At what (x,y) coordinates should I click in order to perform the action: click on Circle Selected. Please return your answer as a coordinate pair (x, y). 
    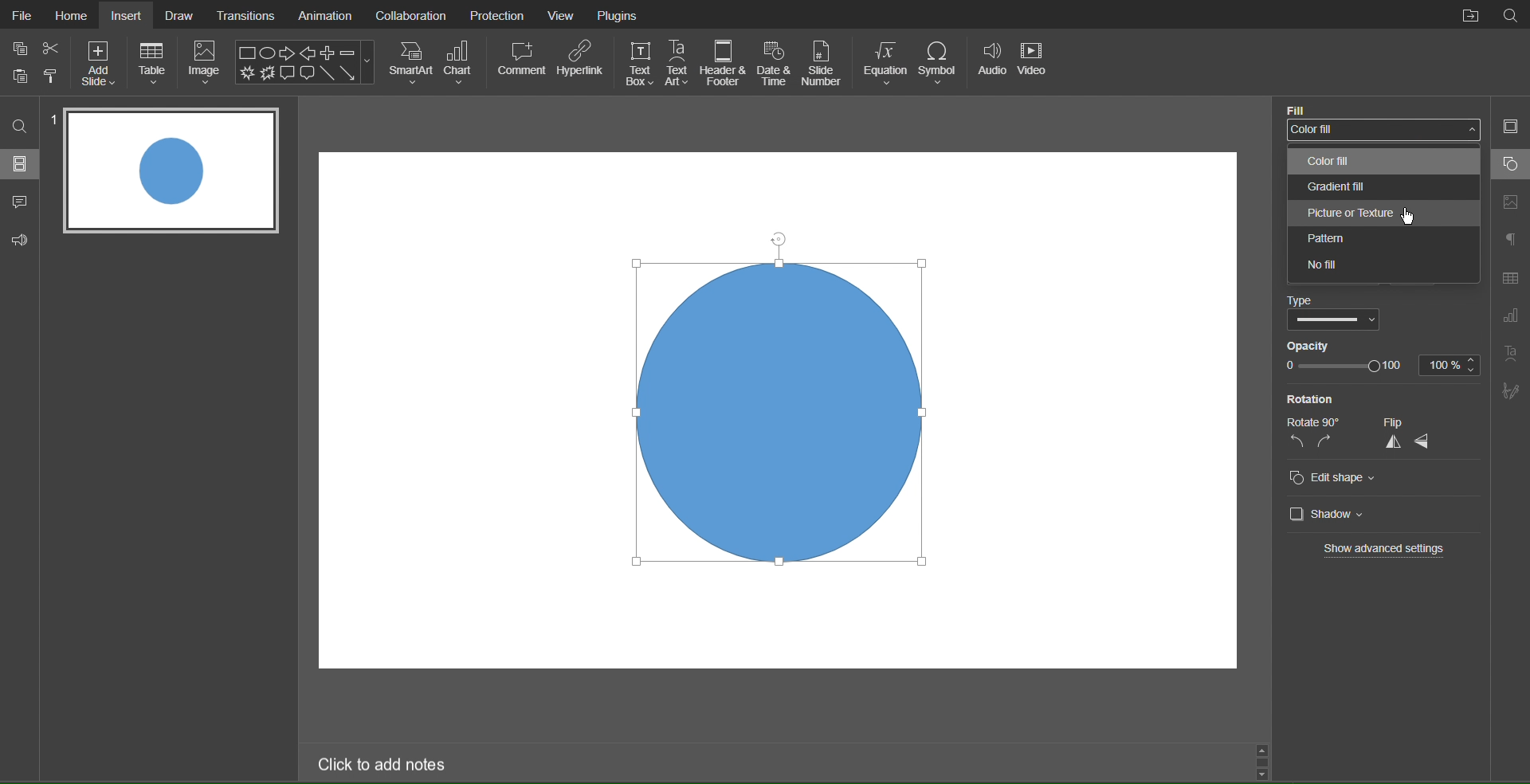
    Looking at the image, I should click on (771, 414).